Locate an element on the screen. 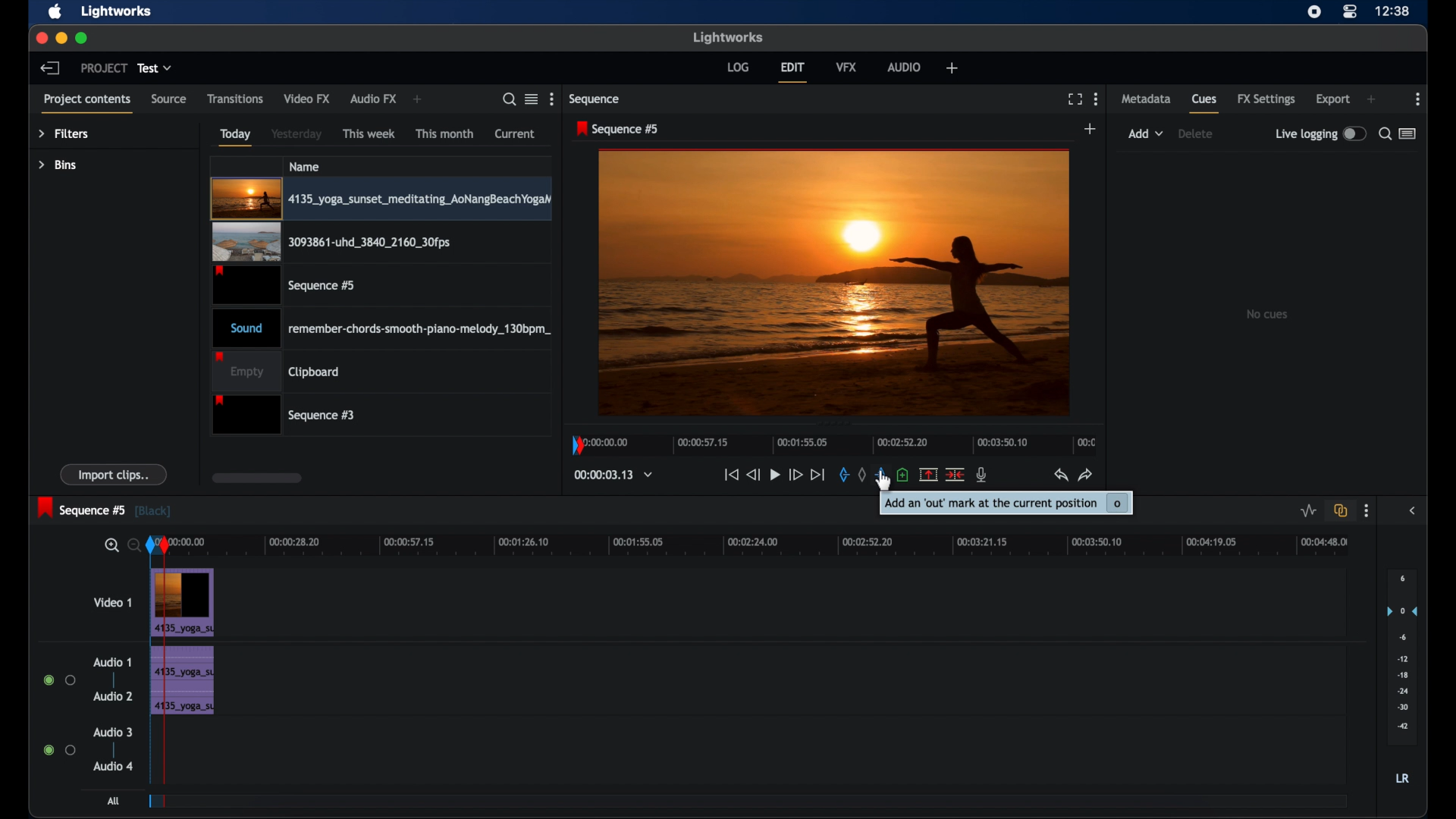 The width and height of the screenshot is (1456, 819). lightworks is located at coordinates (728, 37).